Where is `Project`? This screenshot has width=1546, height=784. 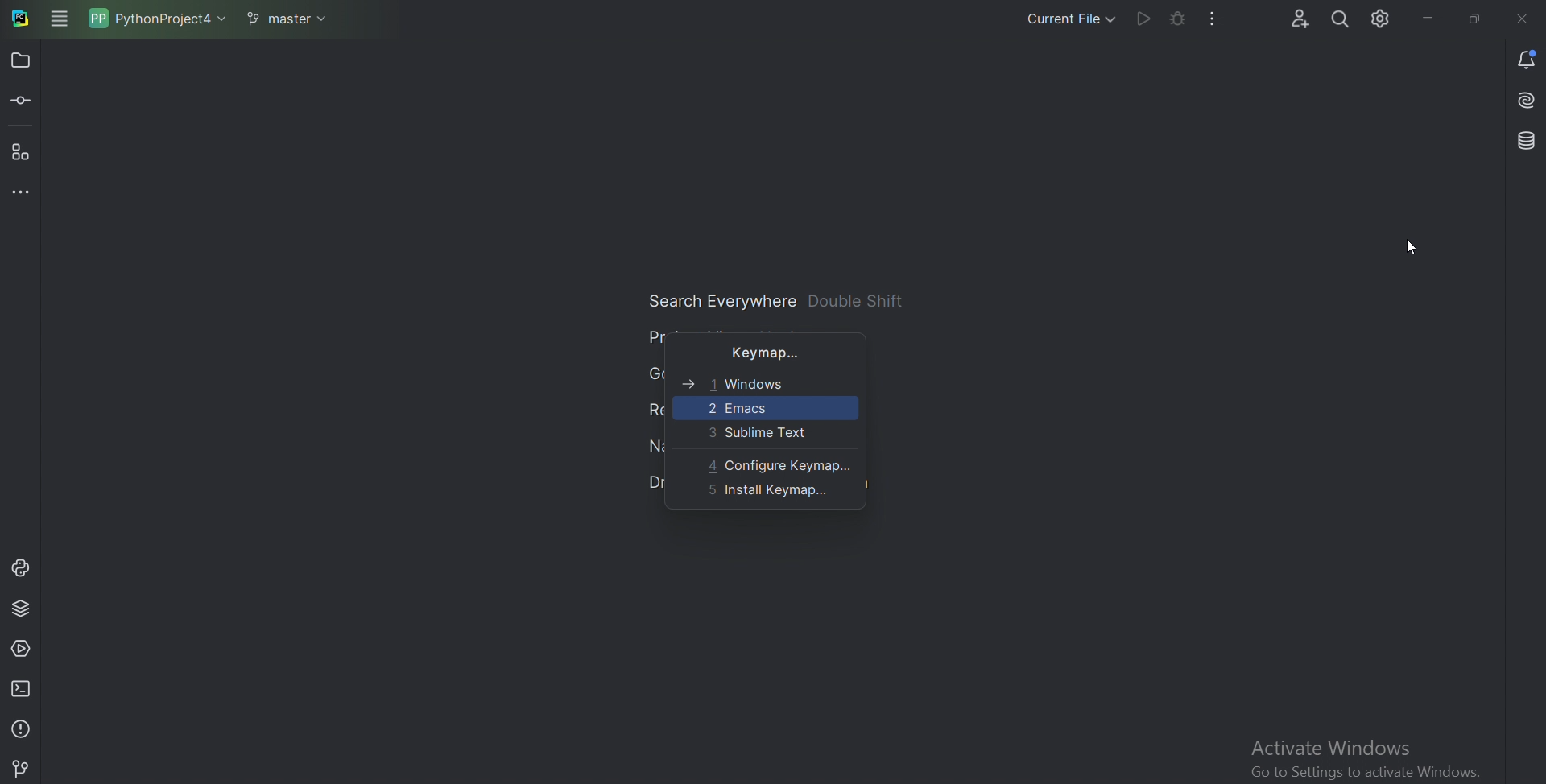 Project is located at coordinates (23, 61).